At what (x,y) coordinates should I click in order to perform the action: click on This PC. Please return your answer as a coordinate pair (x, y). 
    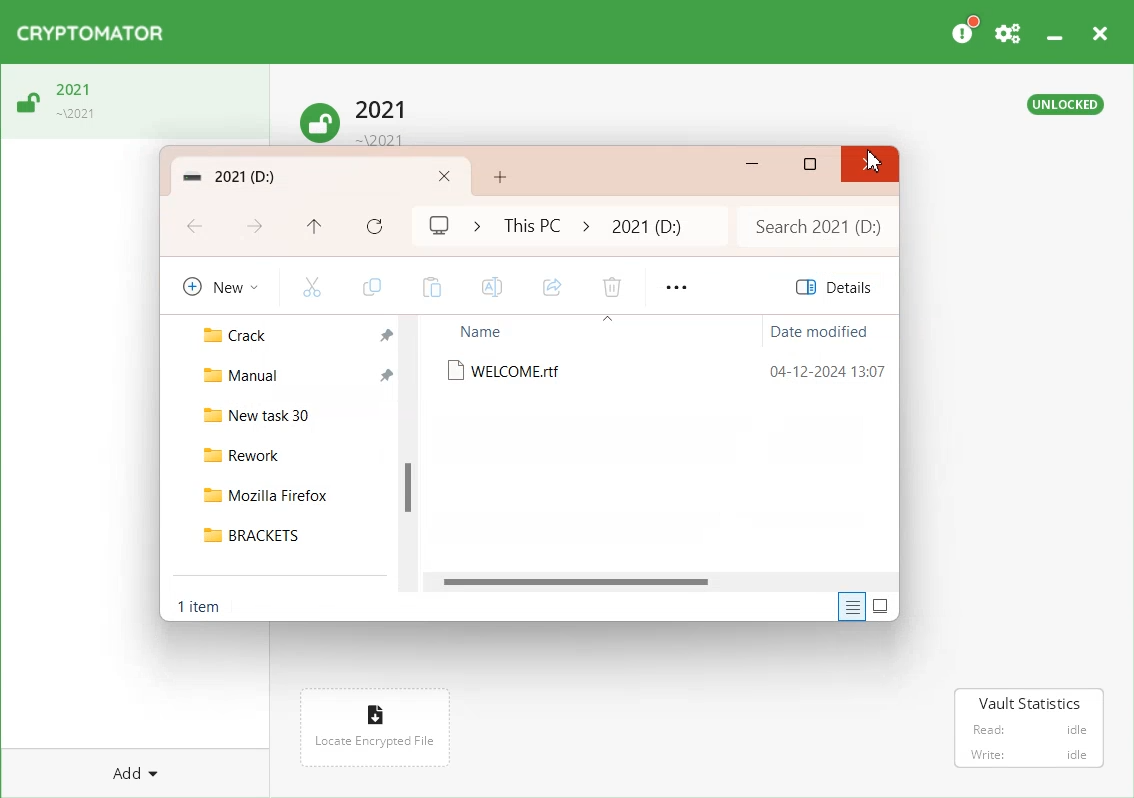
    Looking at the image, I should click on (532, 224).